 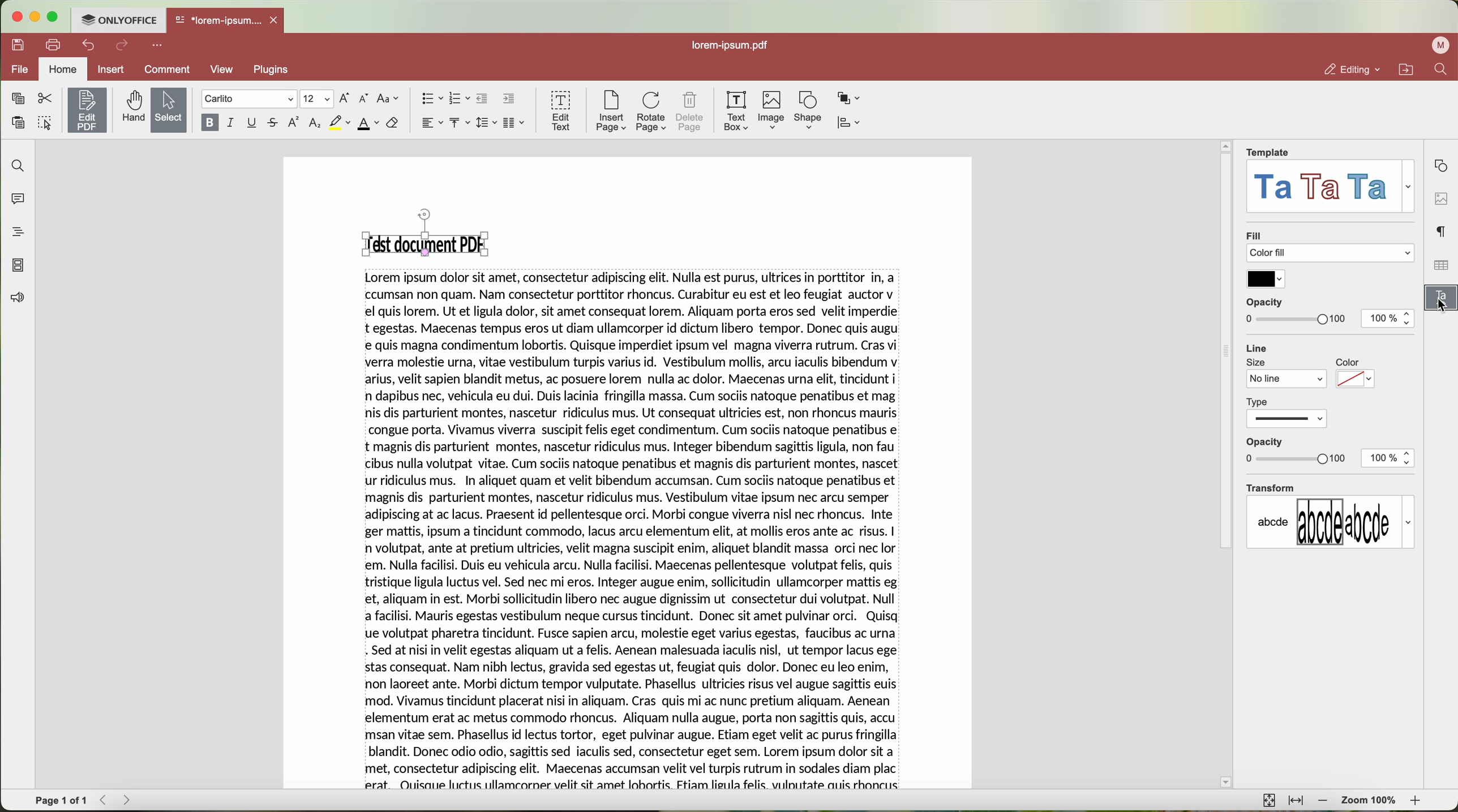 What do you see at coordinates (232, 123) in the screenshot?
I see `italic` at bounding box center [232, 123].